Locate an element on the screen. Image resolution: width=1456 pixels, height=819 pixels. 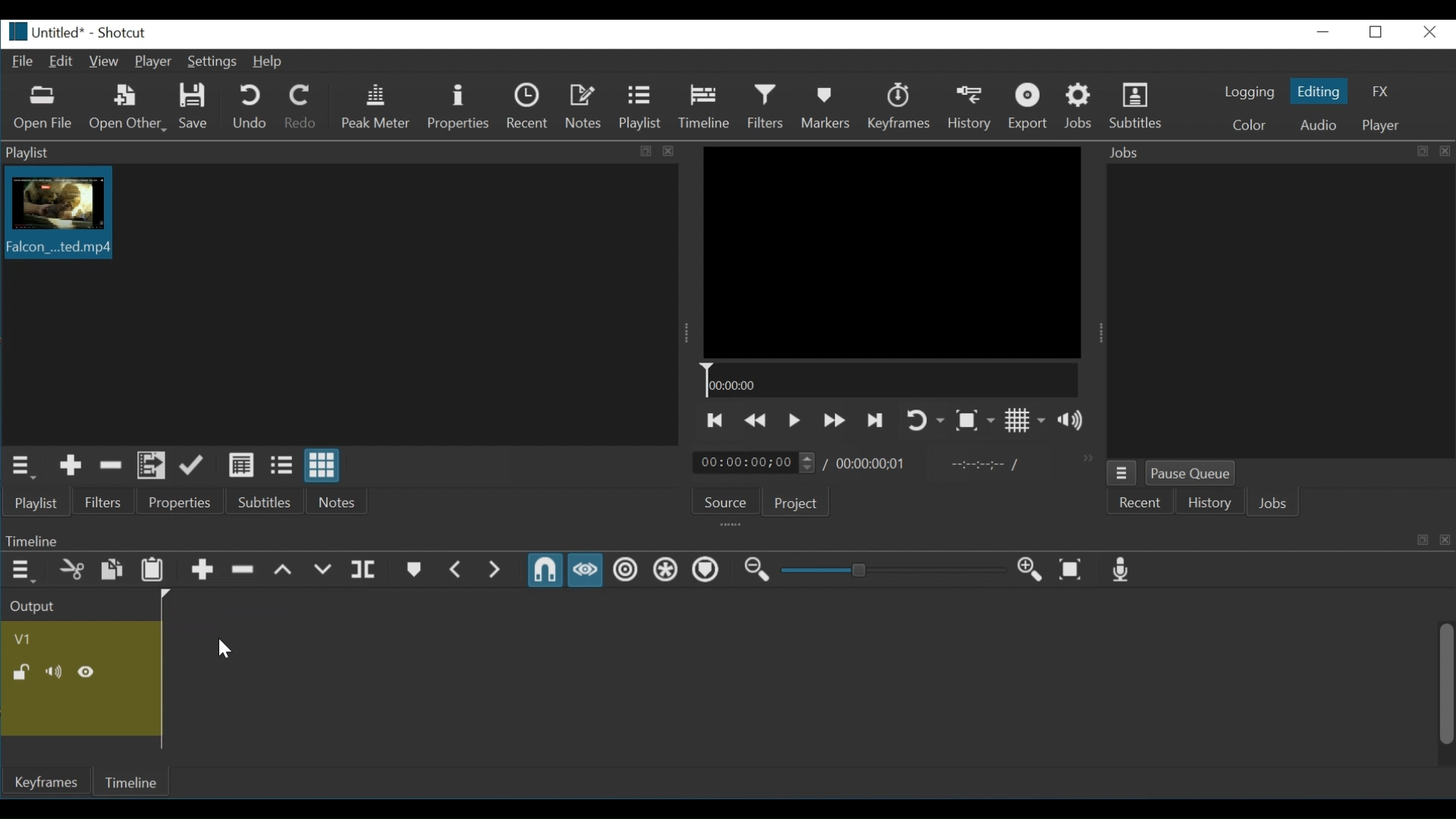
(un)locked is located at coordinates (17, 672).